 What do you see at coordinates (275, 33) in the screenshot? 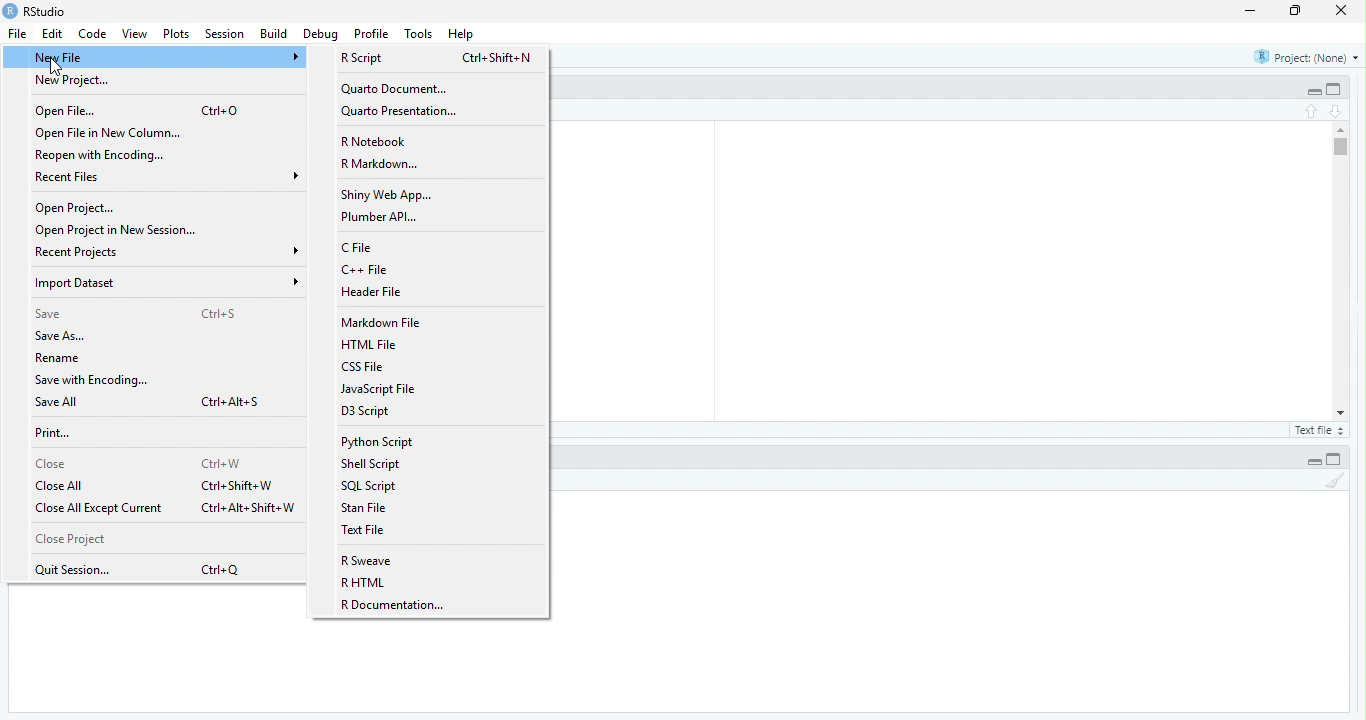
I see `Build` at bounding box center [275, 33].